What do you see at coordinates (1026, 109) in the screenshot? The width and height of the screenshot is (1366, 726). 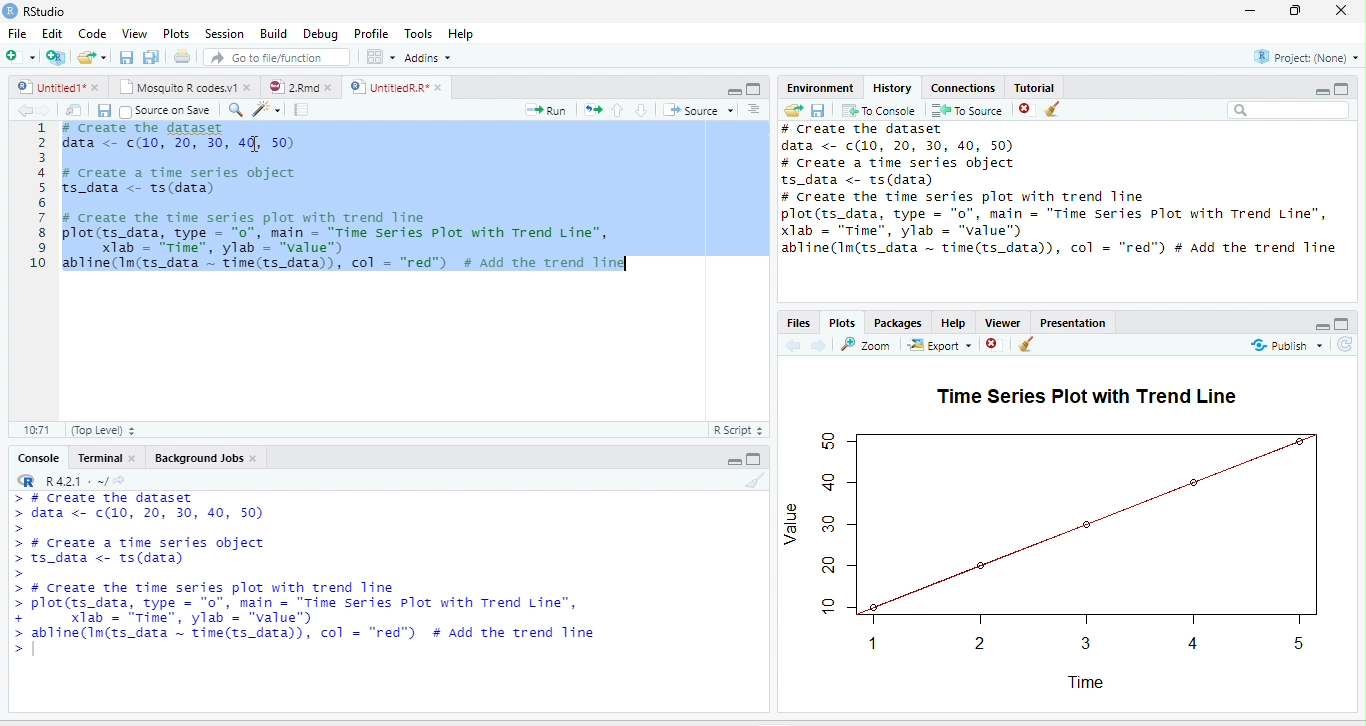 I see `Remove the selected history entries` at bounding box center [1026, 109].